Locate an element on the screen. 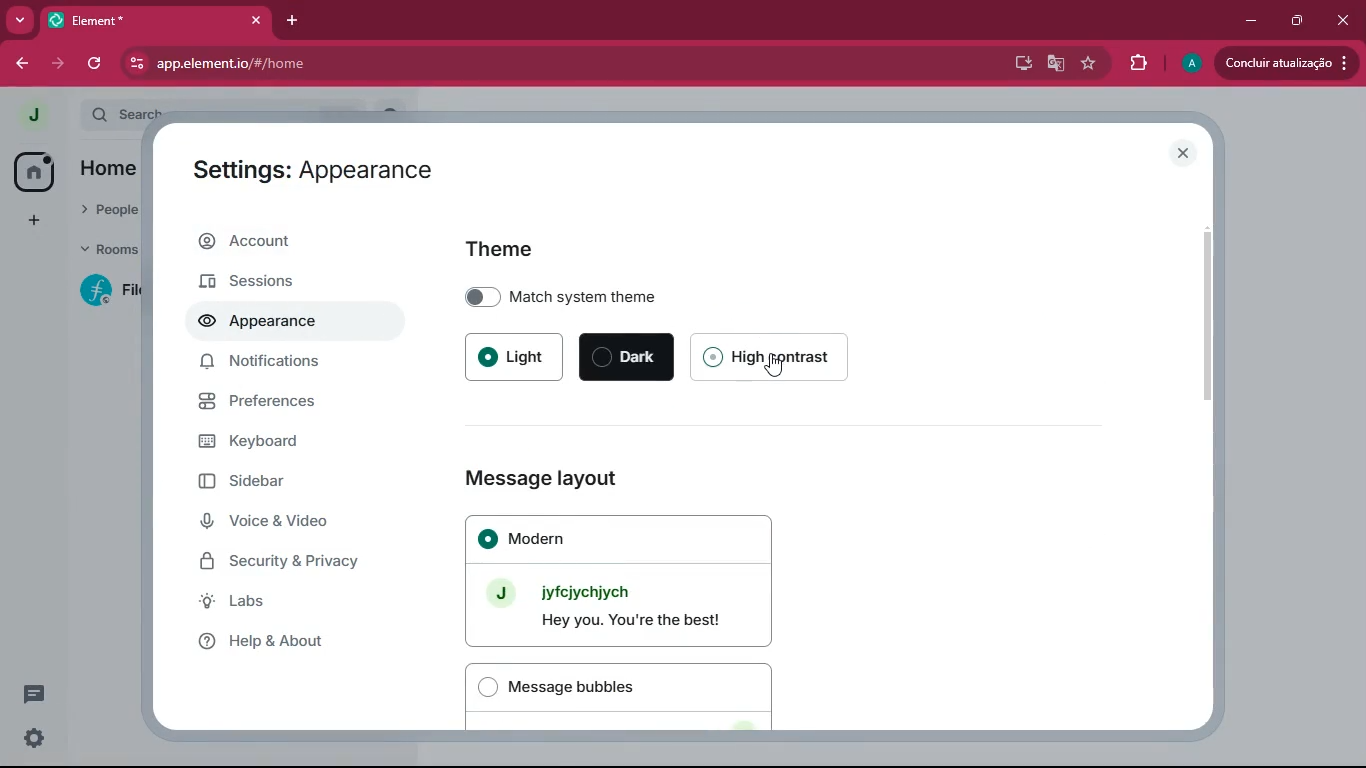 This screenshot has height=768, width=1366. close is located at coordinates (258, 20).